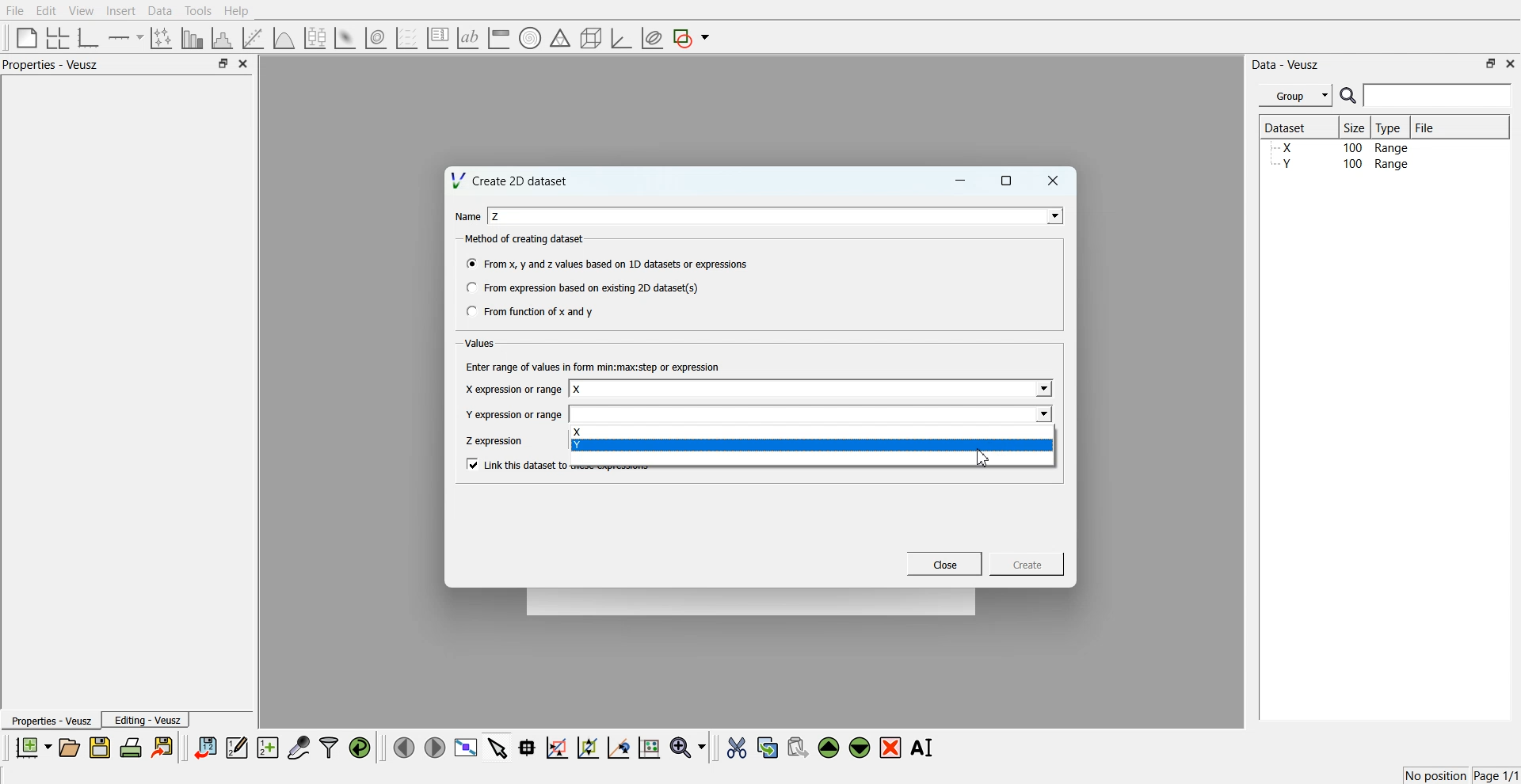 The image size is (1521, 784). I want to click on Data, so click(162, 11).